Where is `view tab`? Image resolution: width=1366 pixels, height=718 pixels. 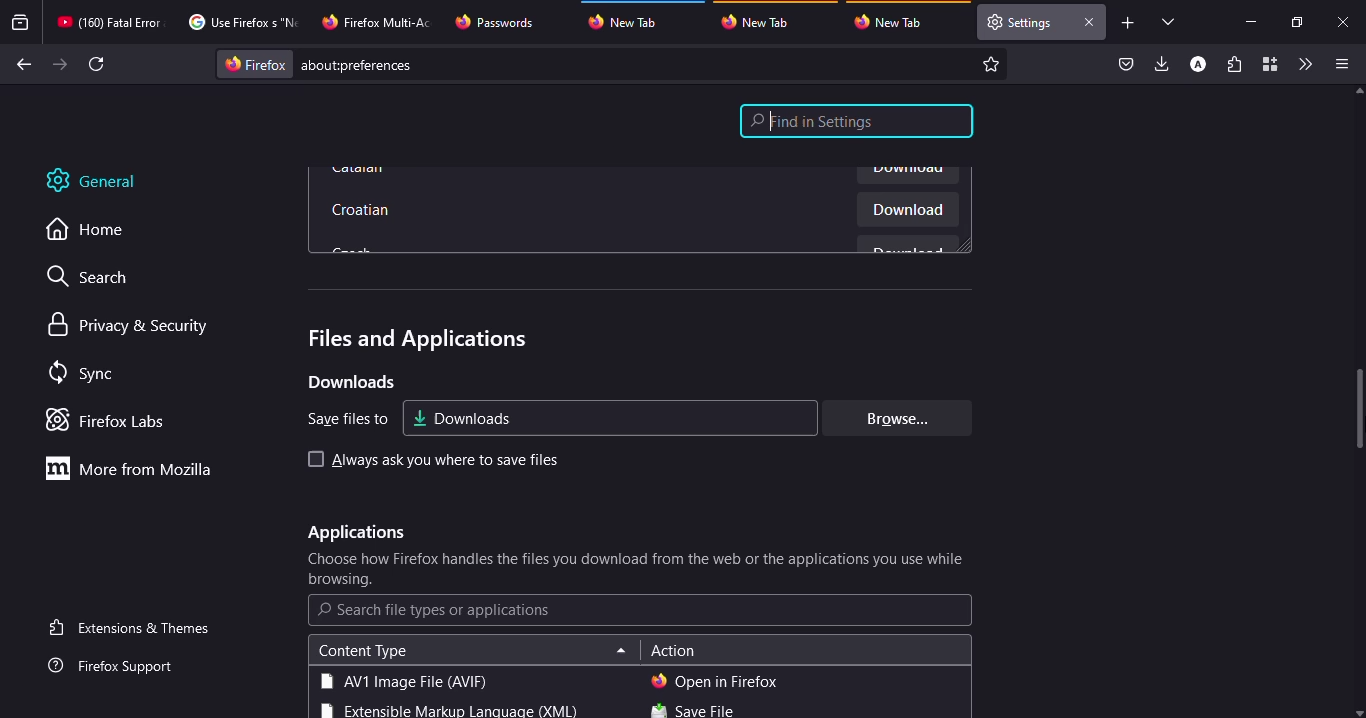
view tab is located at coordinates (1169, 21).